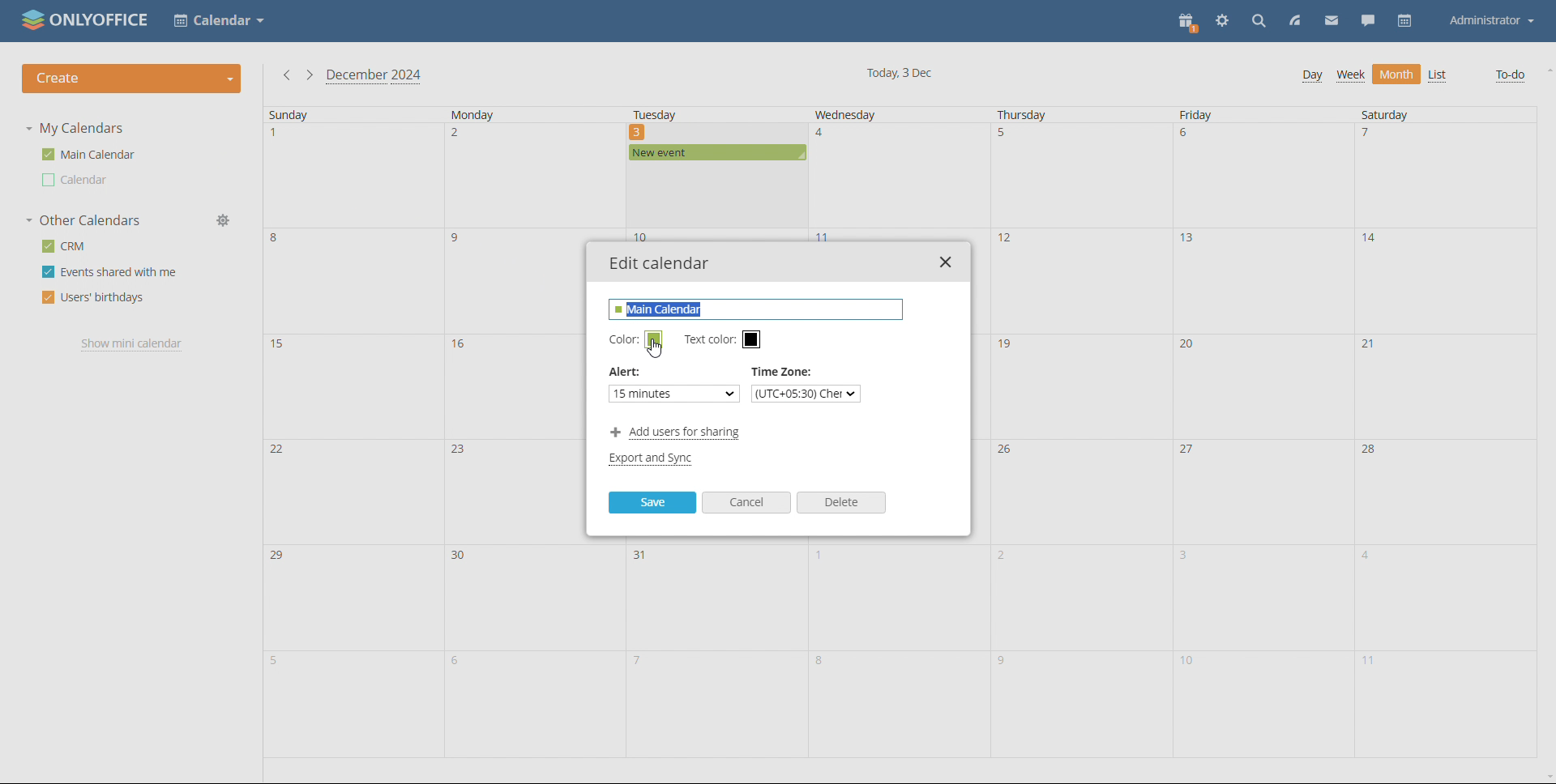 The height and width of the screenshot is (784, 1556). I want to click on date, so click(713, 198).